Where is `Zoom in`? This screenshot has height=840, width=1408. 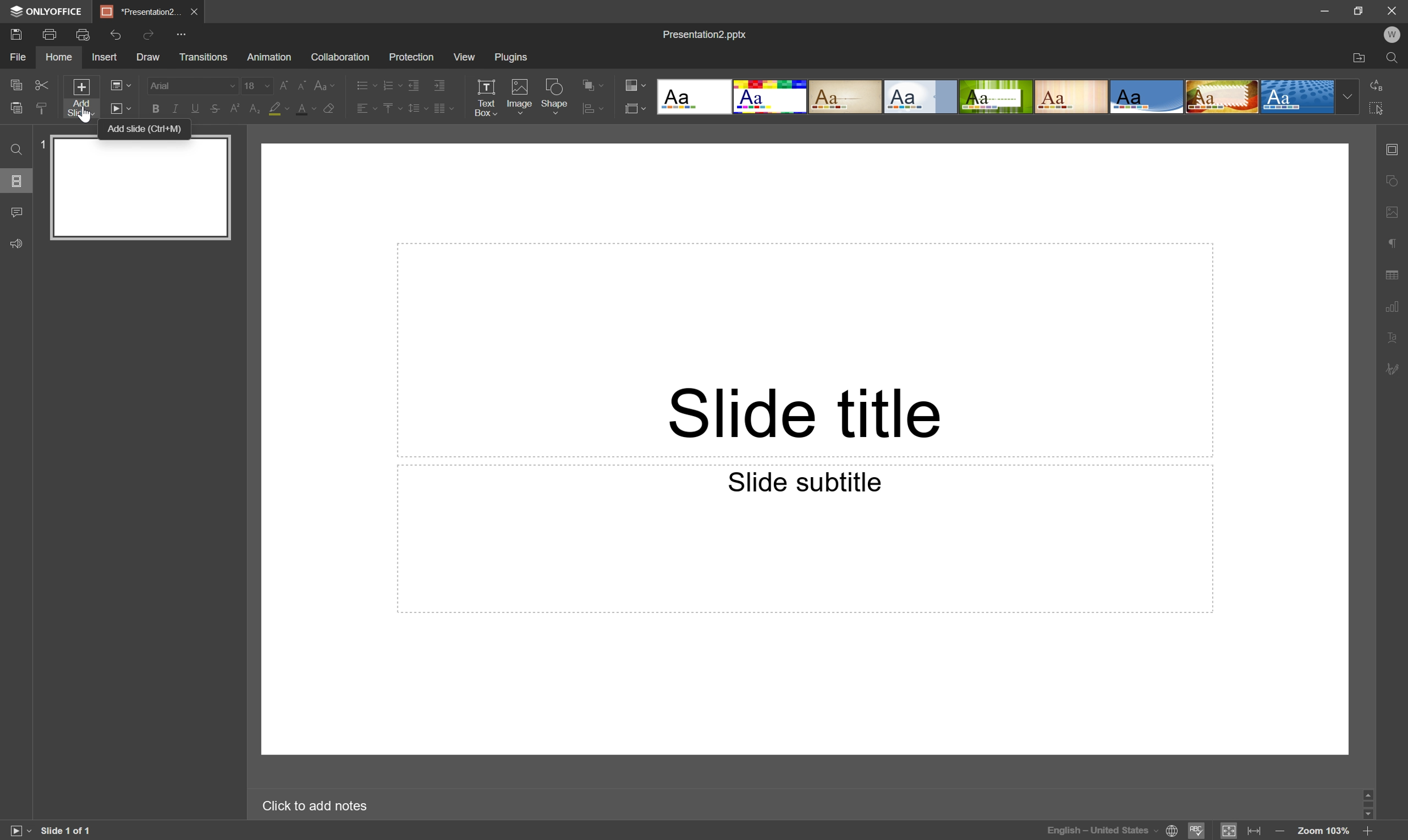
Zoom in is located at coordinates (1368, 830).